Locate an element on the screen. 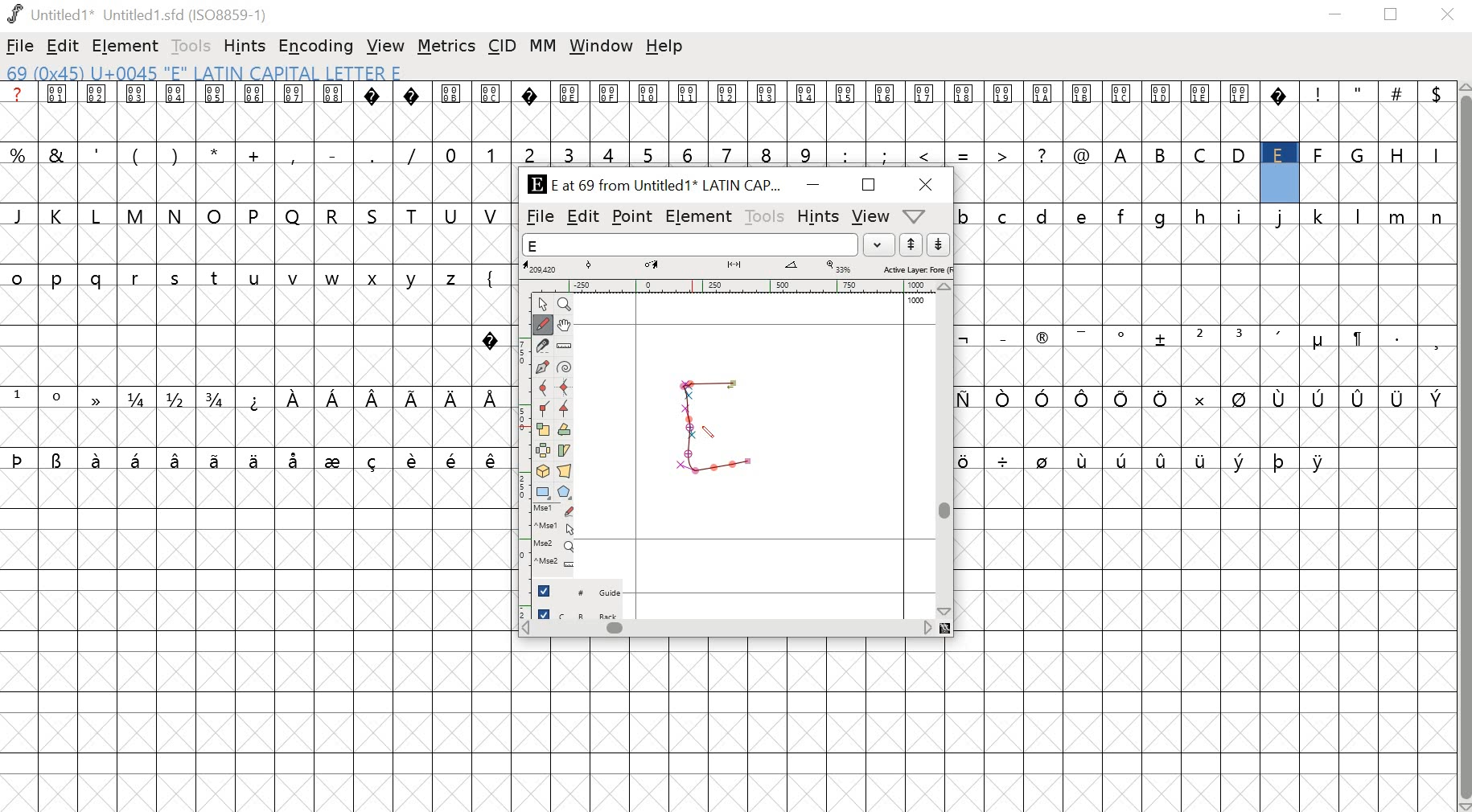  empty cells is located at coordinates (726, 125).